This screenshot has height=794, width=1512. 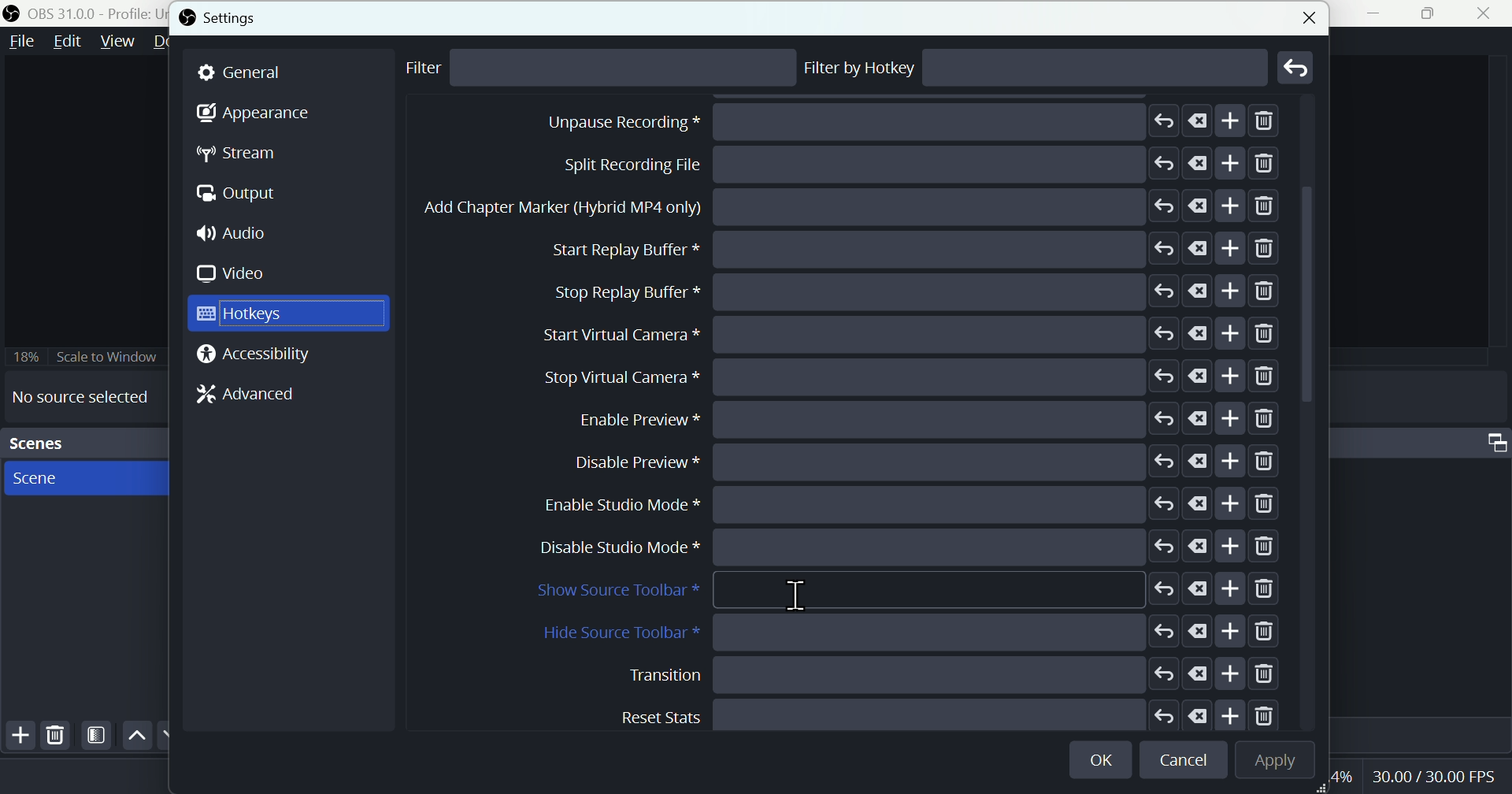 What do you see at coordinates (1436, 779) in the screenshot?
I see `Performance bar paanchala` at bounding box center [1436, 779].